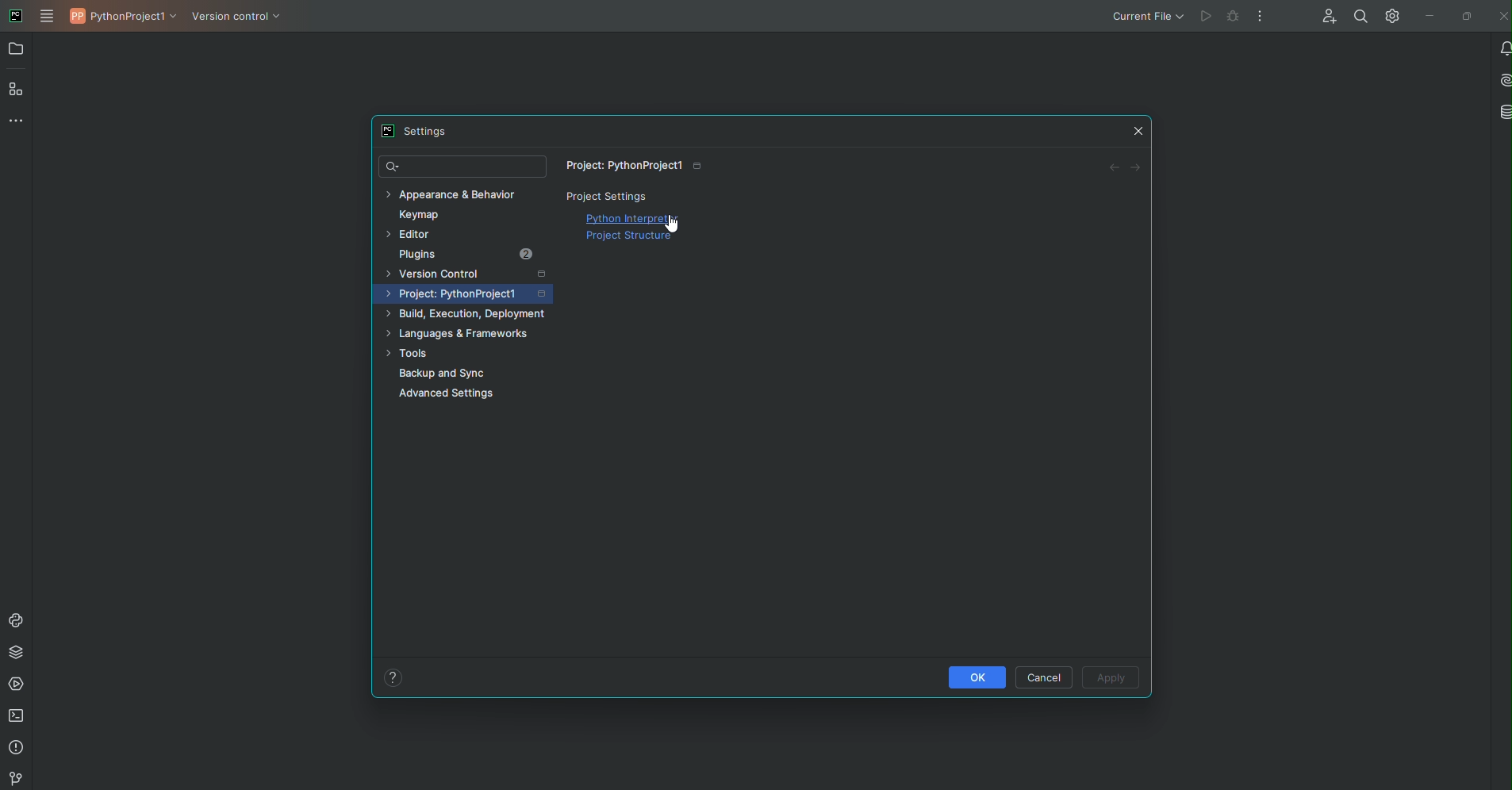 This screenshot has width=1512, height=790. I want to click on Keymap, so click(427, 213).